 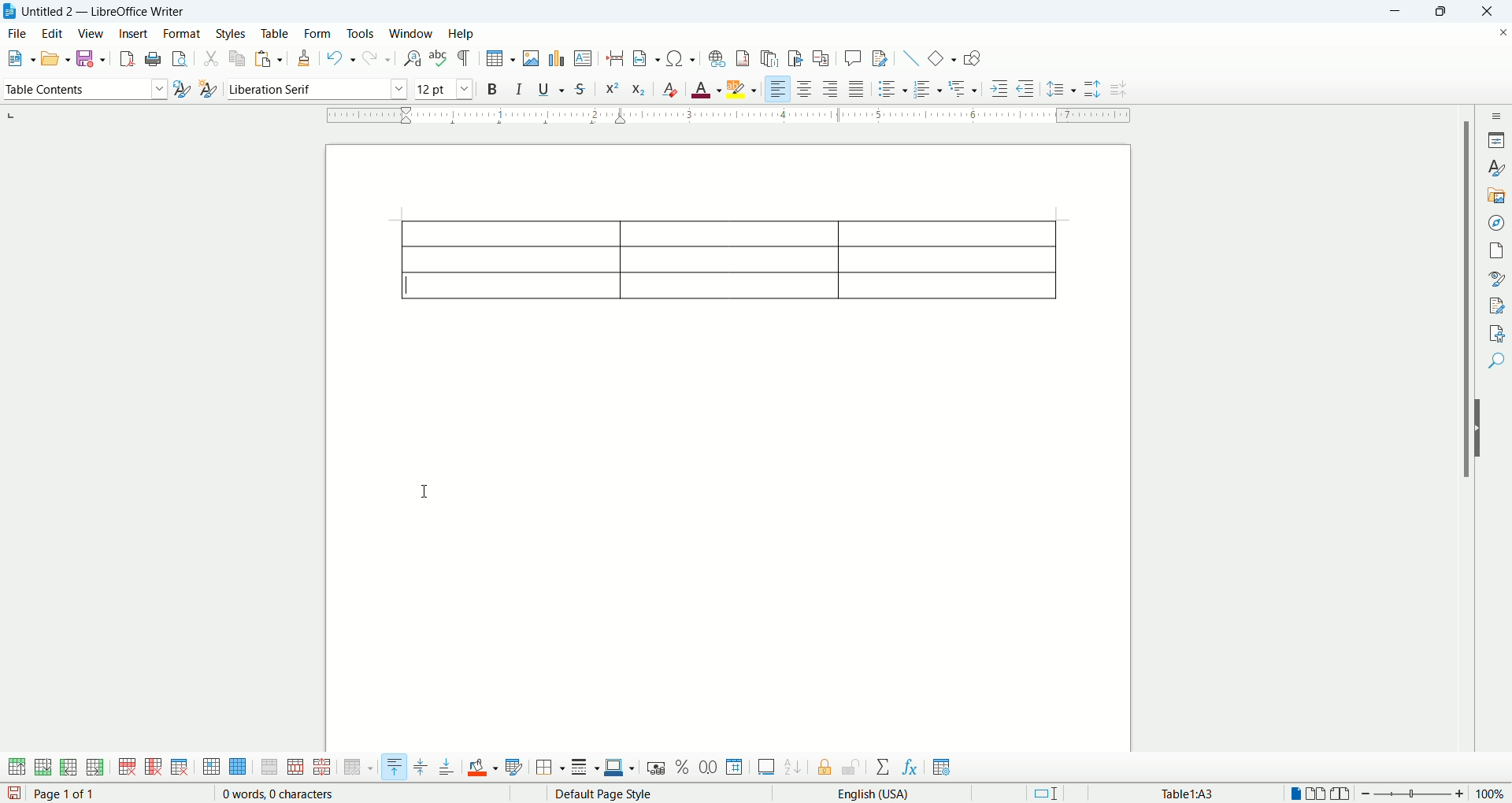 What do you see at coordinates (682, 769) in the screenshot?
I see `percent format` at bounding box center [682, 769].